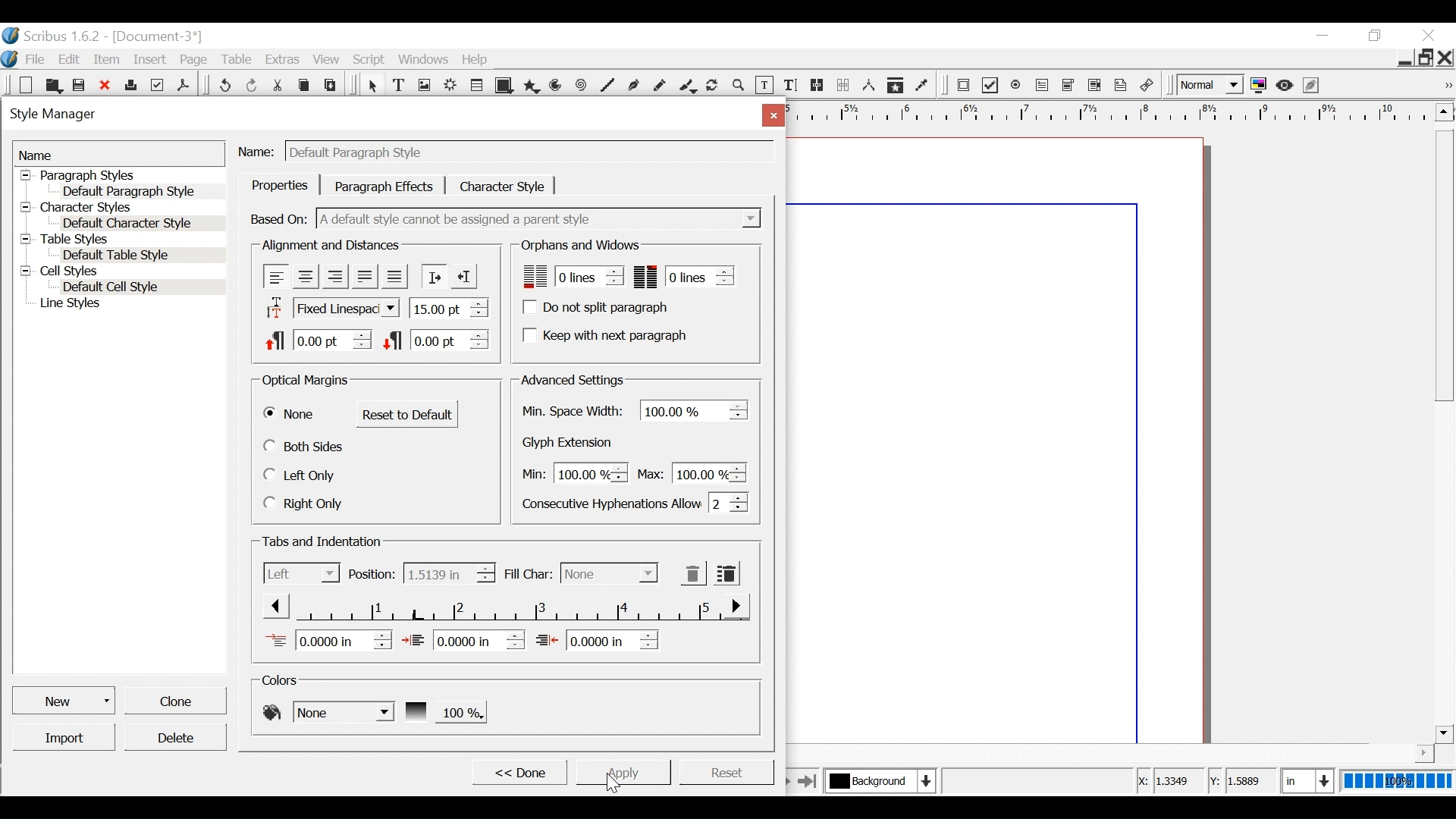 This screenshot has height=819, width=1456. What do you see at coordinates (306, 83) in the screenshot?
I see `Copy ` at bounding box center [306, 83].